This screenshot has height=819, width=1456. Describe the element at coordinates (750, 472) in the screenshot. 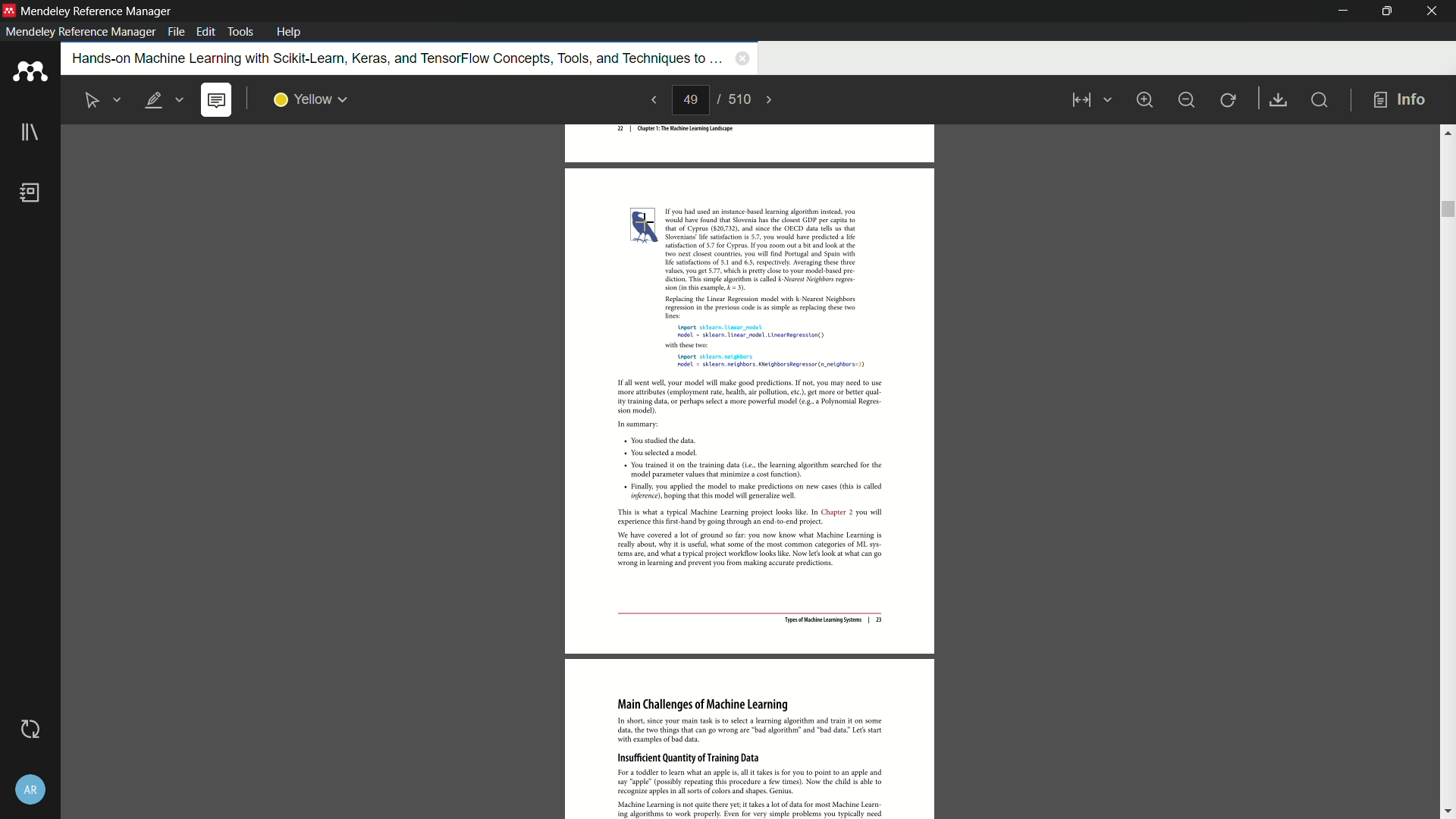

I see `book content` at that location.